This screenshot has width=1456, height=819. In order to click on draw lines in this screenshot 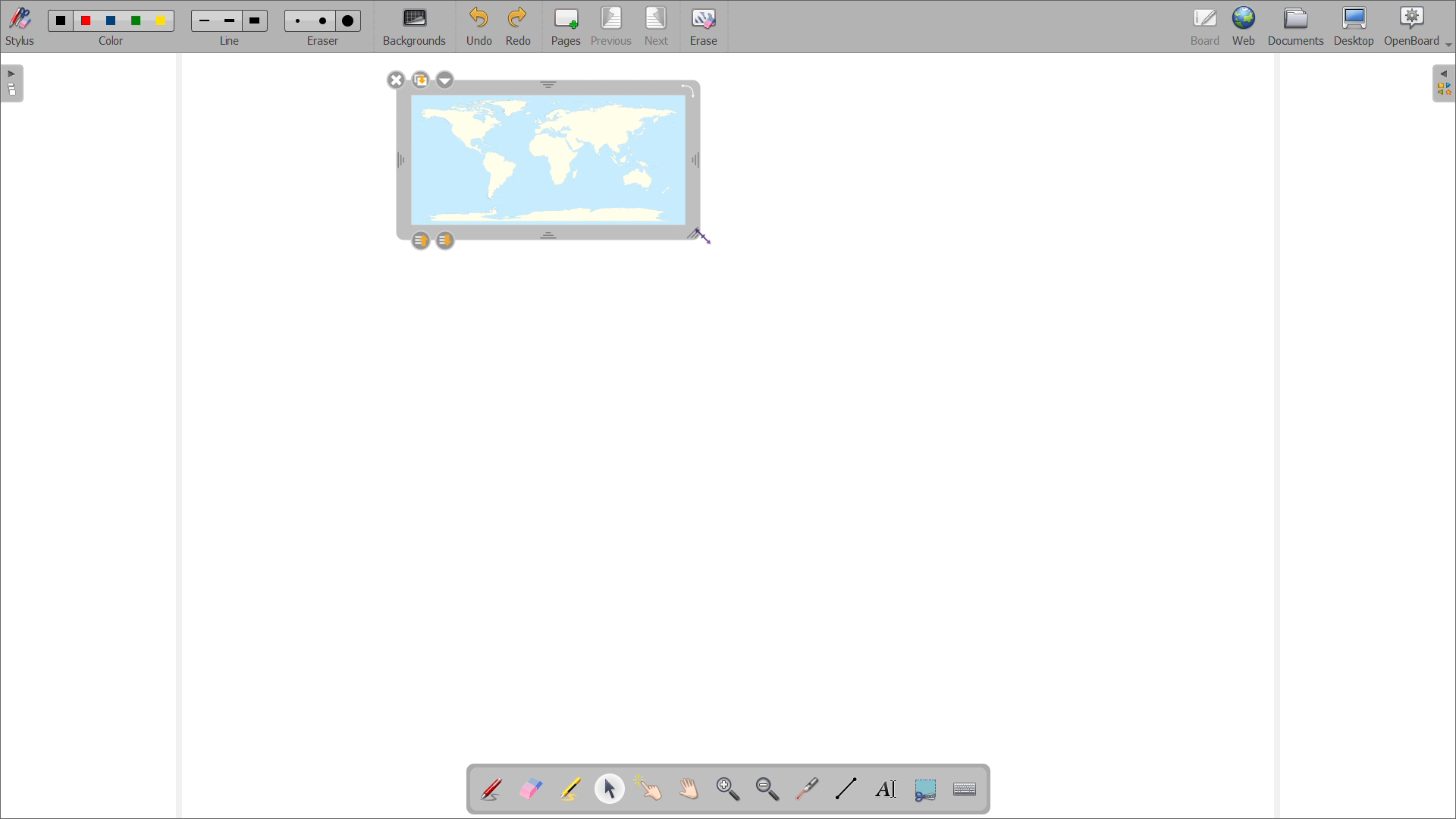, I will do `click(847, 789)`.